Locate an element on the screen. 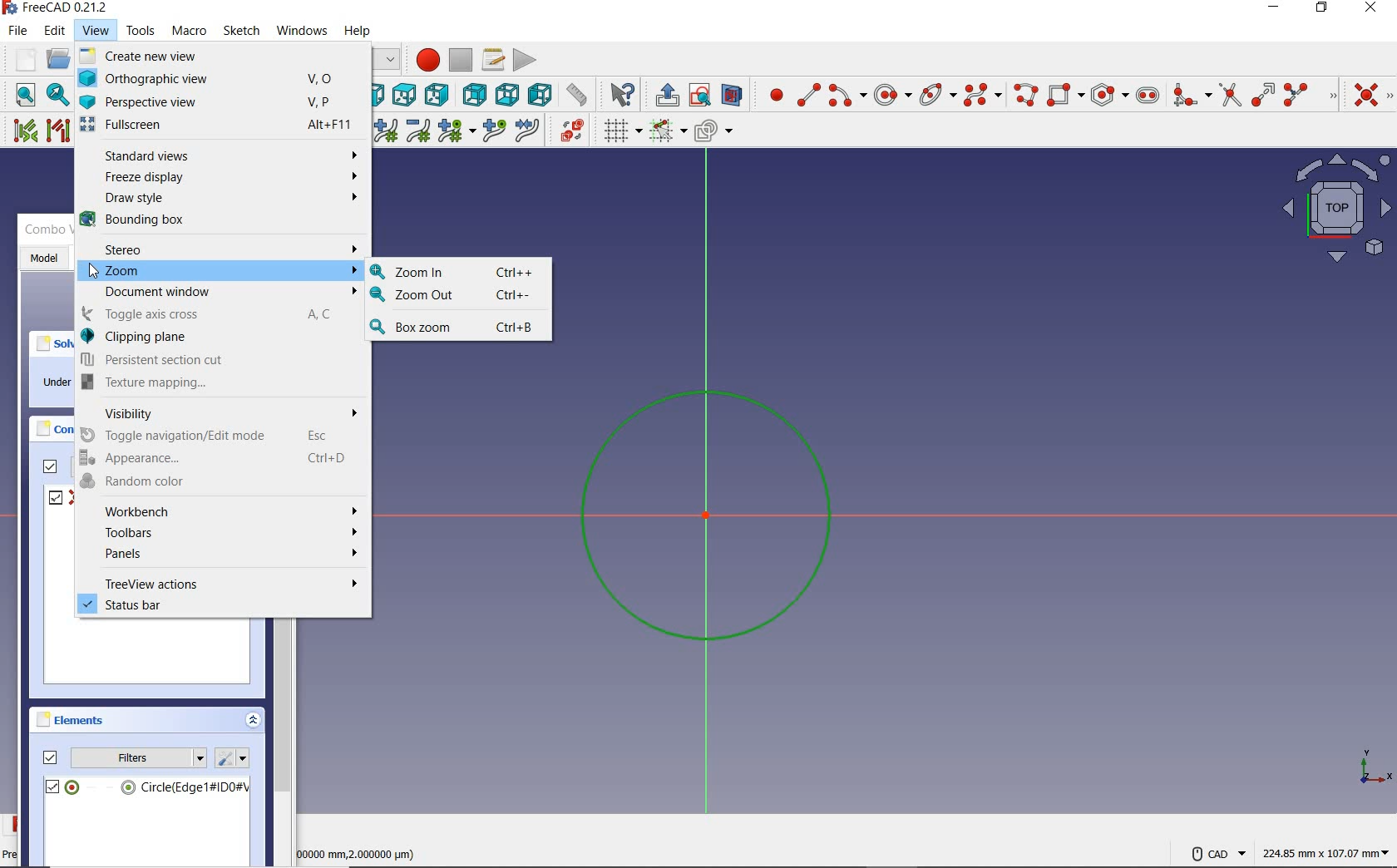 This screenshot has width=1397, height=868. create conic is located at coordinates (939, 96).